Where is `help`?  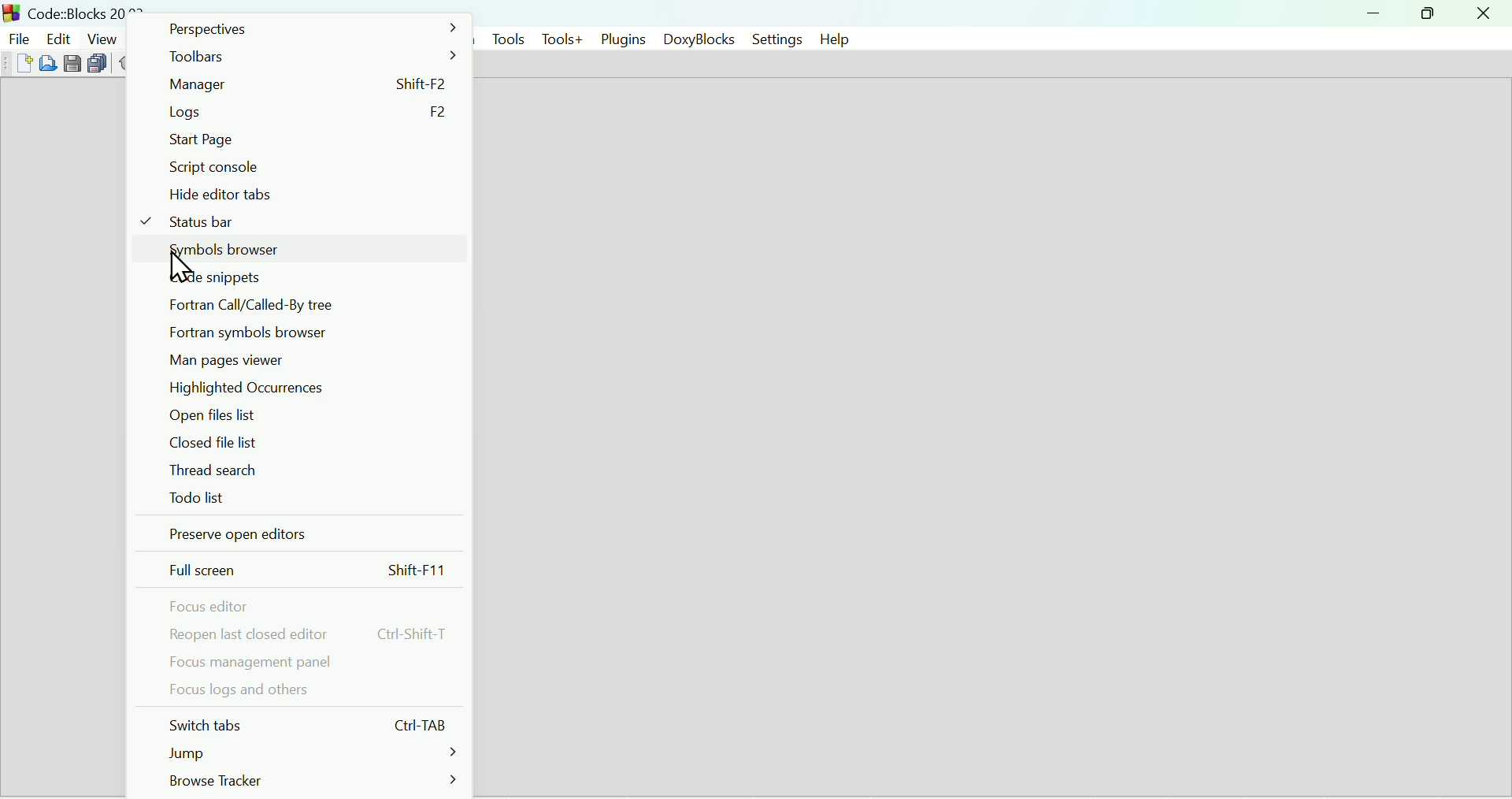
help is located at coordinates (832, 39).